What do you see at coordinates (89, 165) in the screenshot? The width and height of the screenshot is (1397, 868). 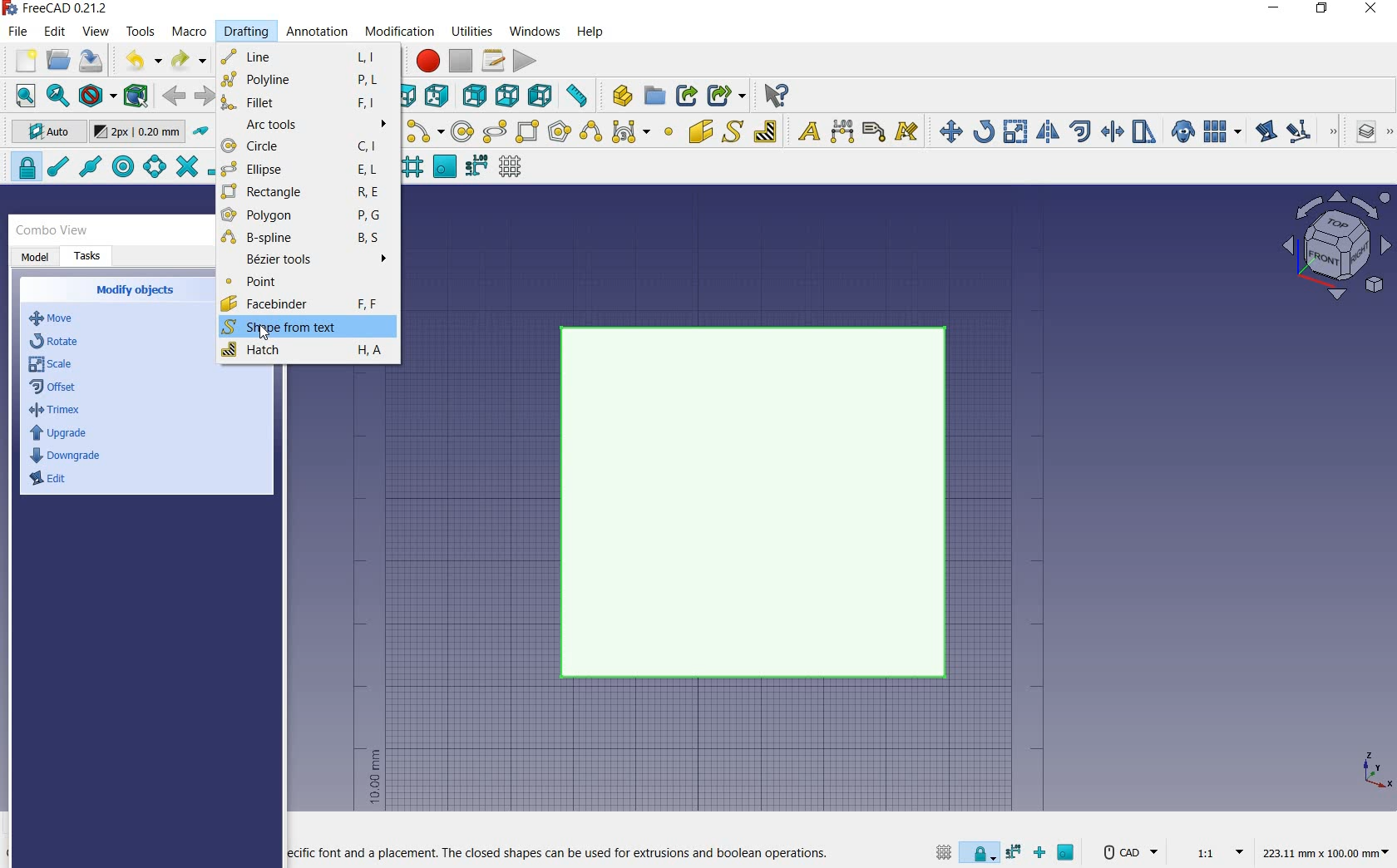 I see `snap midpoint` at bounding box center [89, 165].